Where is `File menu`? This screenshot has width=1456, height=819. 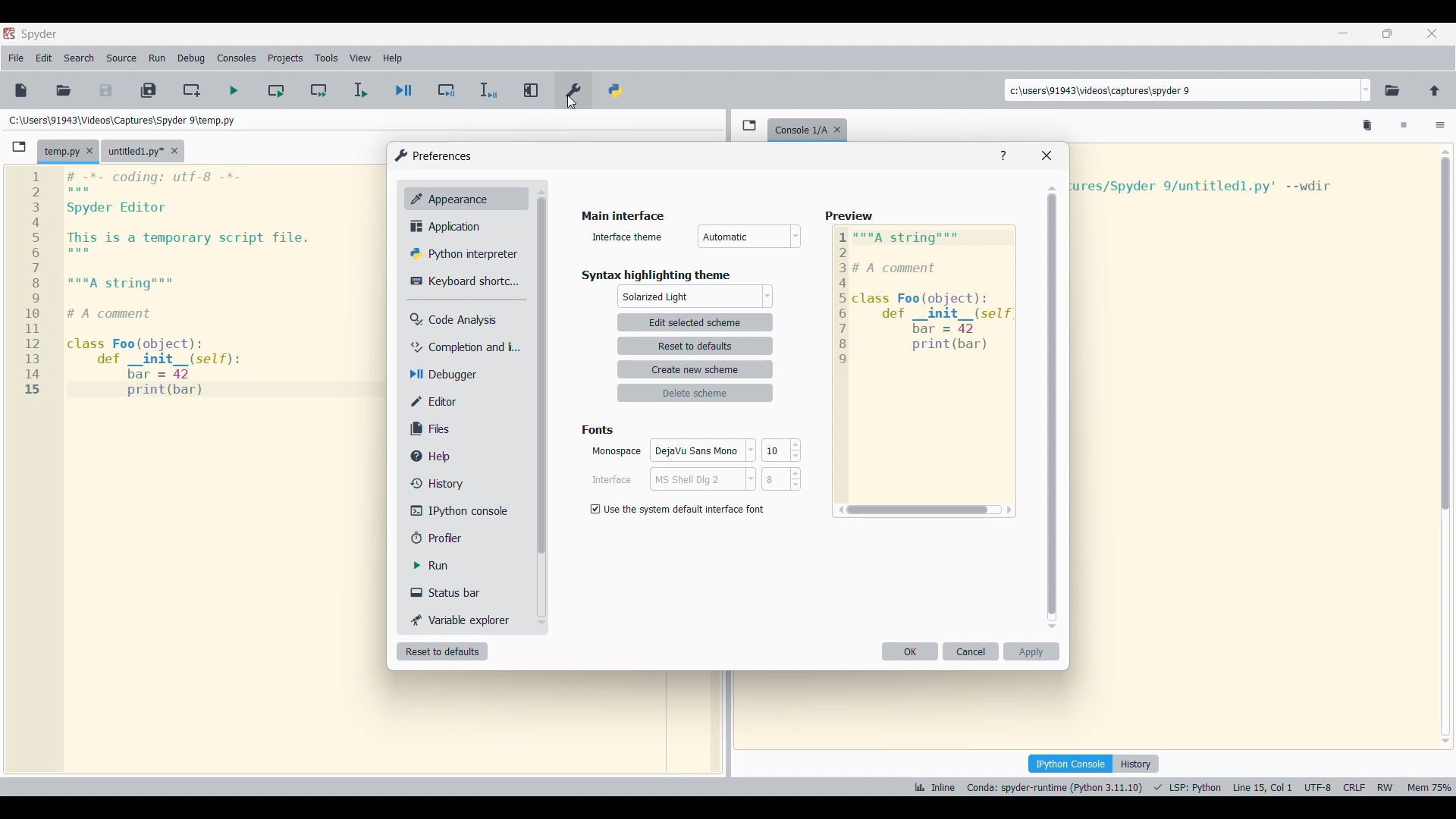
File menu is located at coordinates (17, 58).